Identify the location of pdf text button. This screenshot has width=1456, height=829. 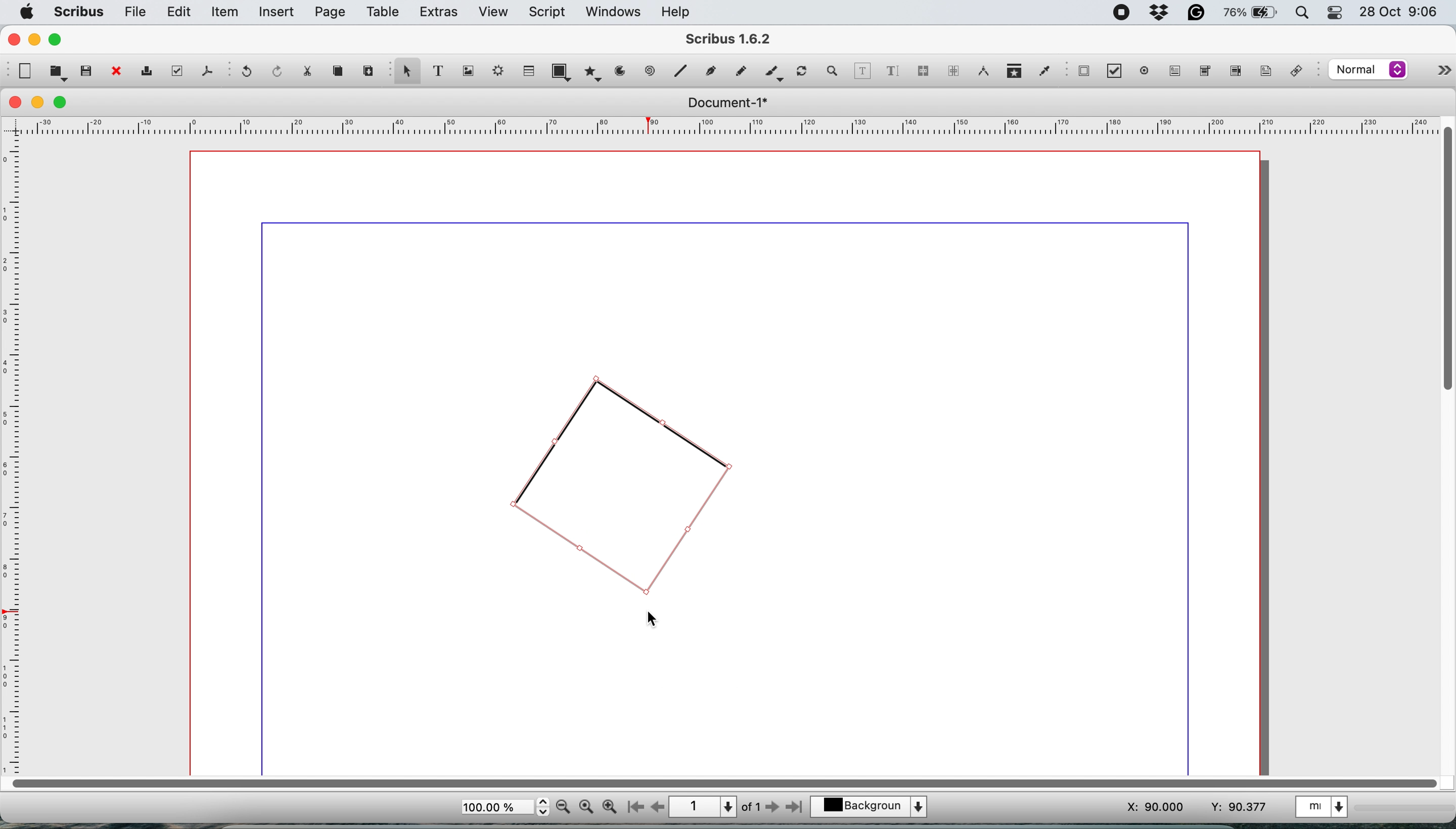
(1176, 71).